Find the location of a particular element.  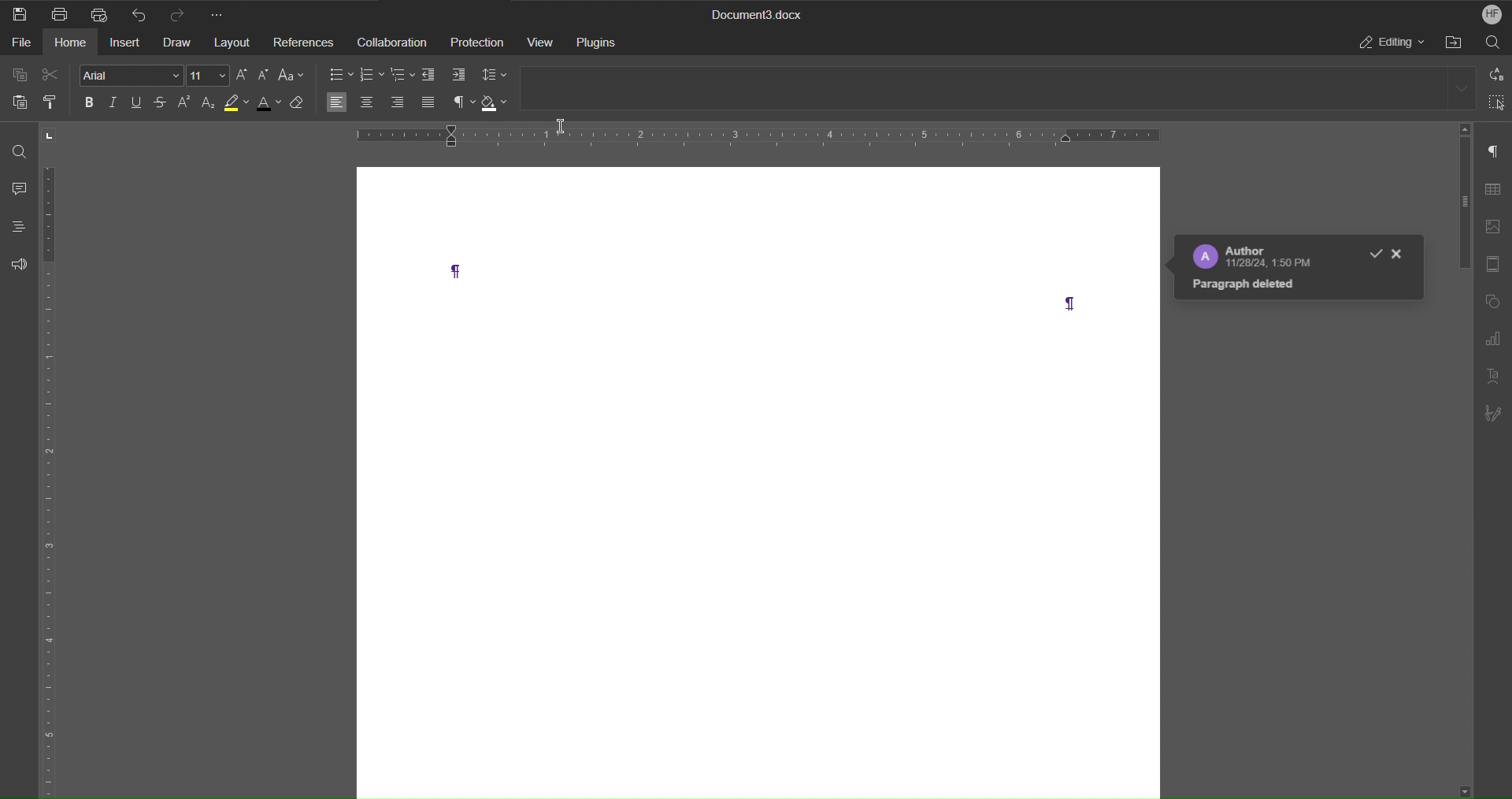

Scroll down is located at coordinates (1455, 787).